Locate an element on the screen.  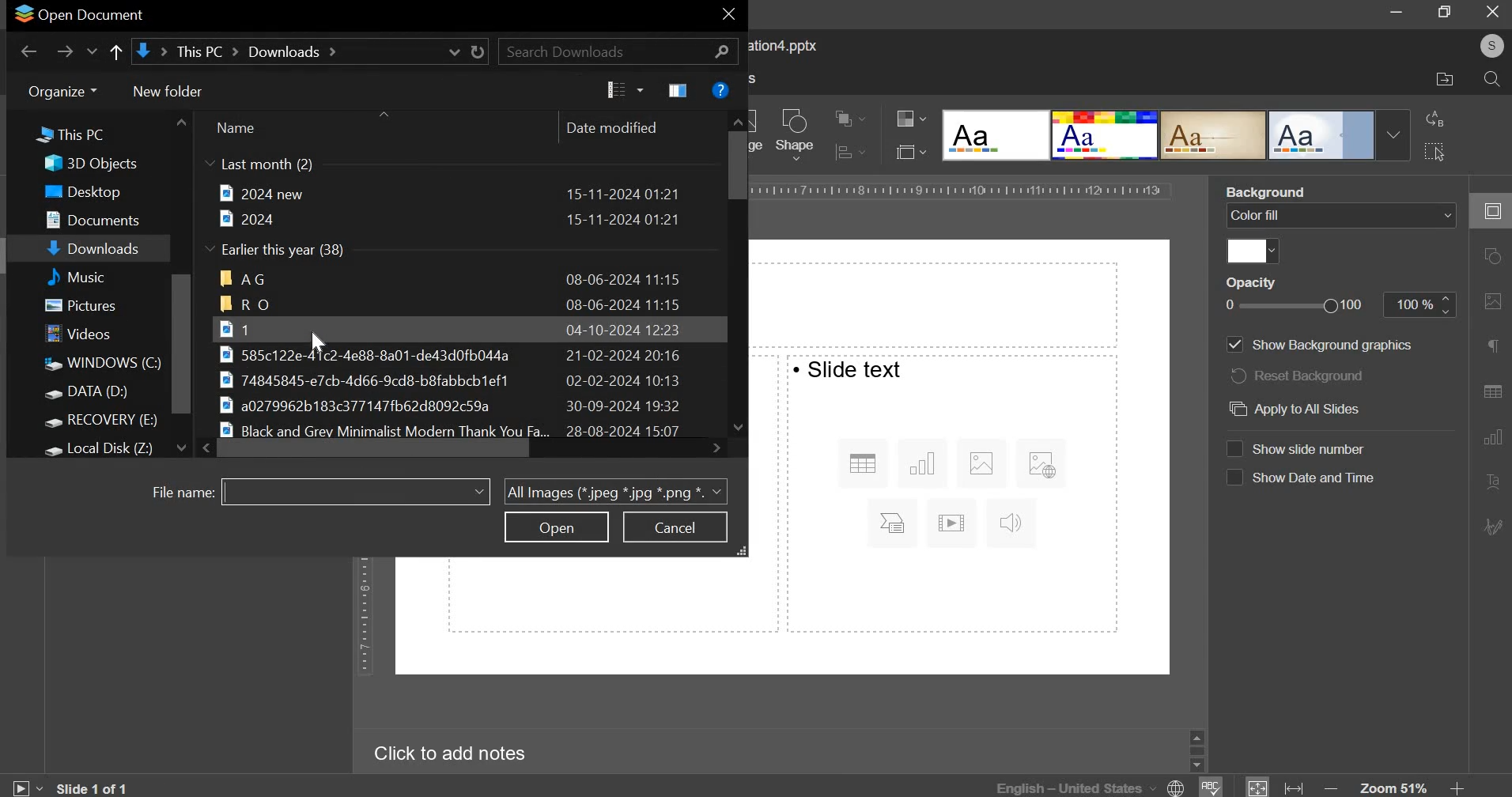
show background graphics is located at coordinates (1234, 346).